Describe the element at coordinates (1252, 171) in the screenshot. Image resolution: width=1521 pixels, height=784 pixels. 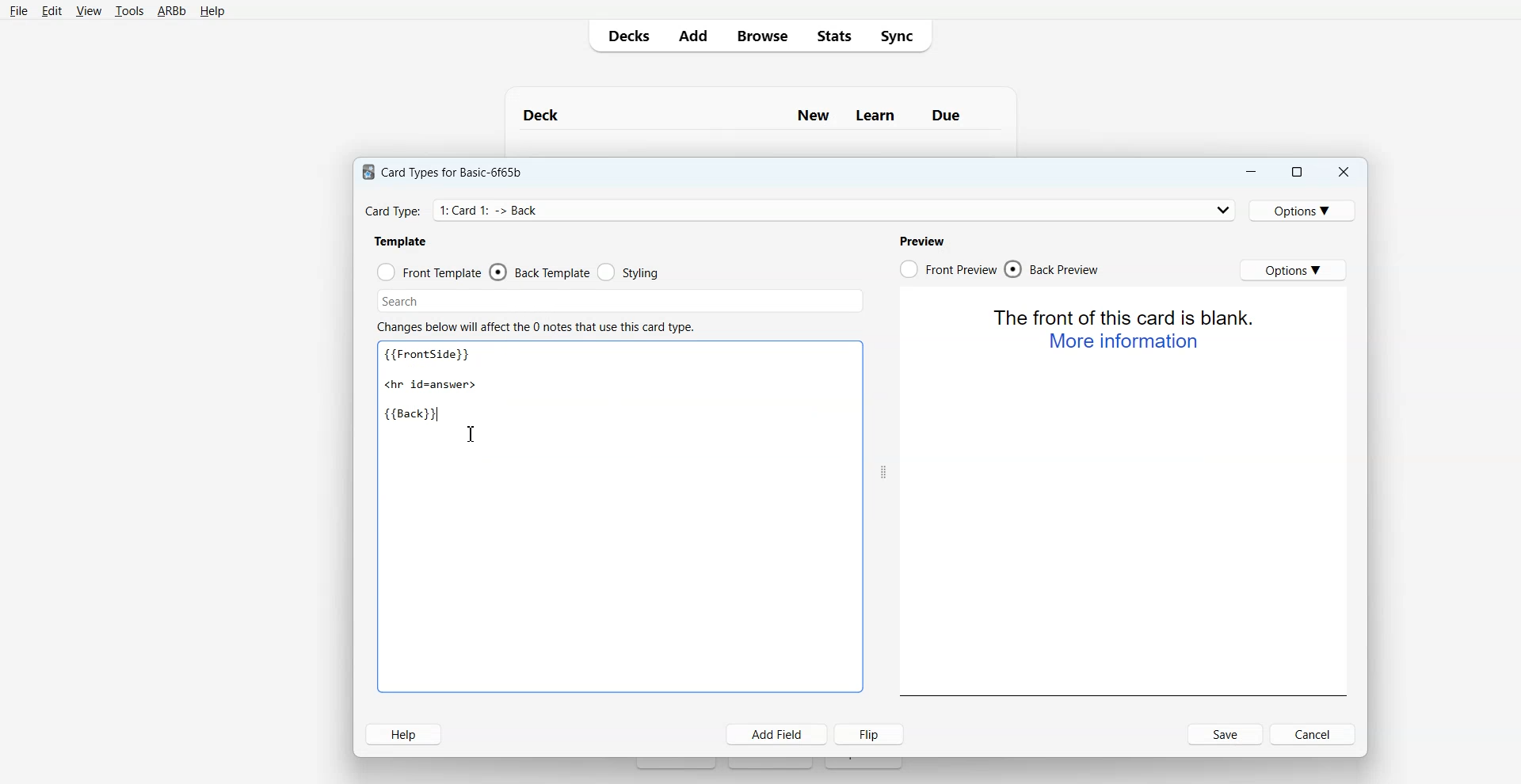
I see `Minimize` at that location.